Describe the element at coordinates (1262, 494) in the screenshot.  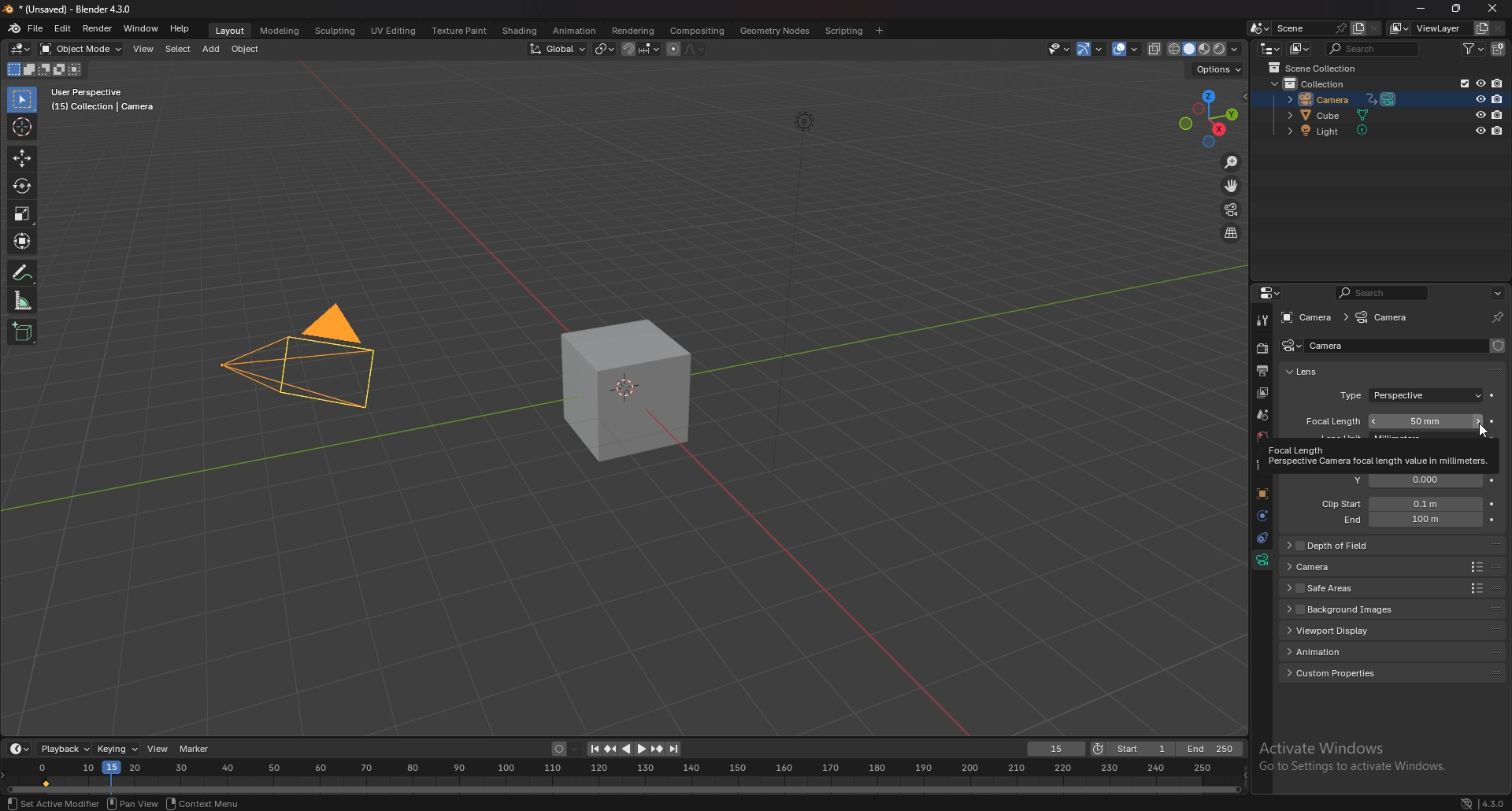
I see `objects` at that location.